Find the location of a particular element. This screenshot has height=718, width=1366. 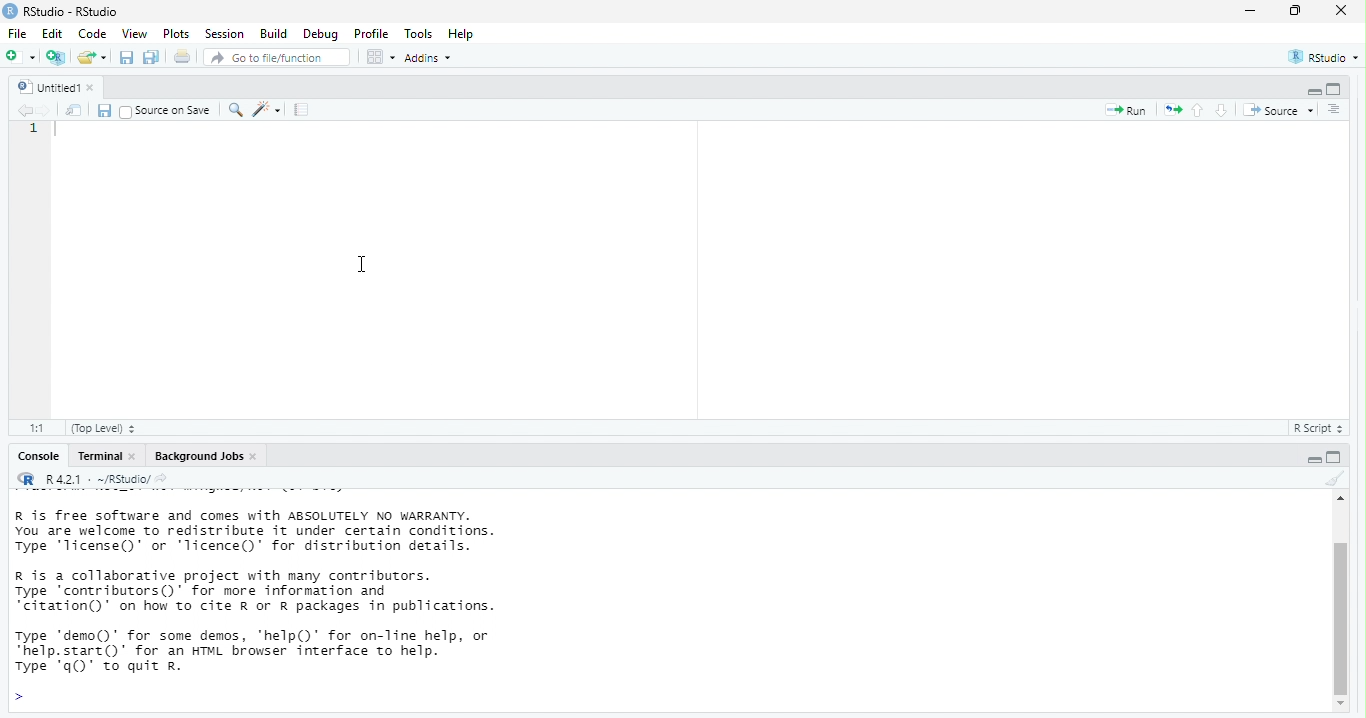

go forward to next source location is located at coordinates (46, 109).